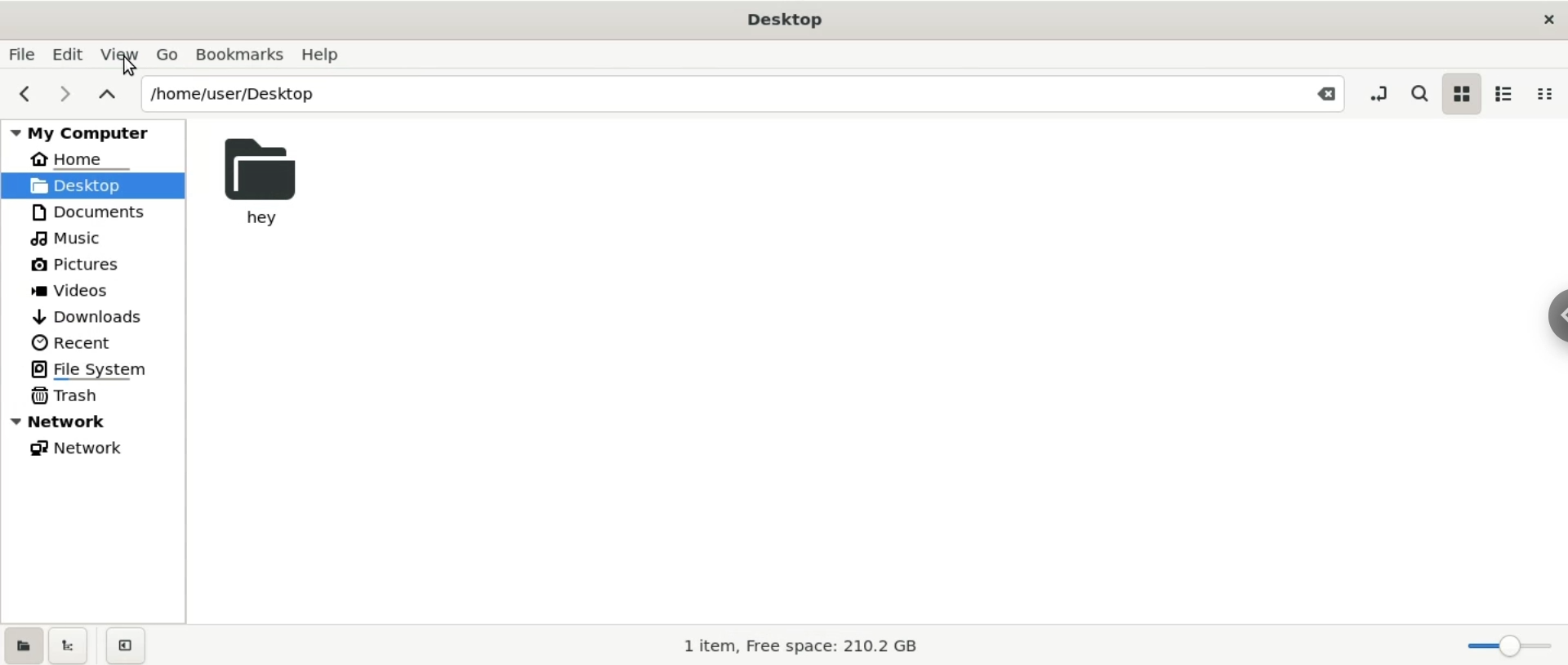  Describe the element at coordinates (1557, 314) in the screenshot. I see `sidebar` at that location.